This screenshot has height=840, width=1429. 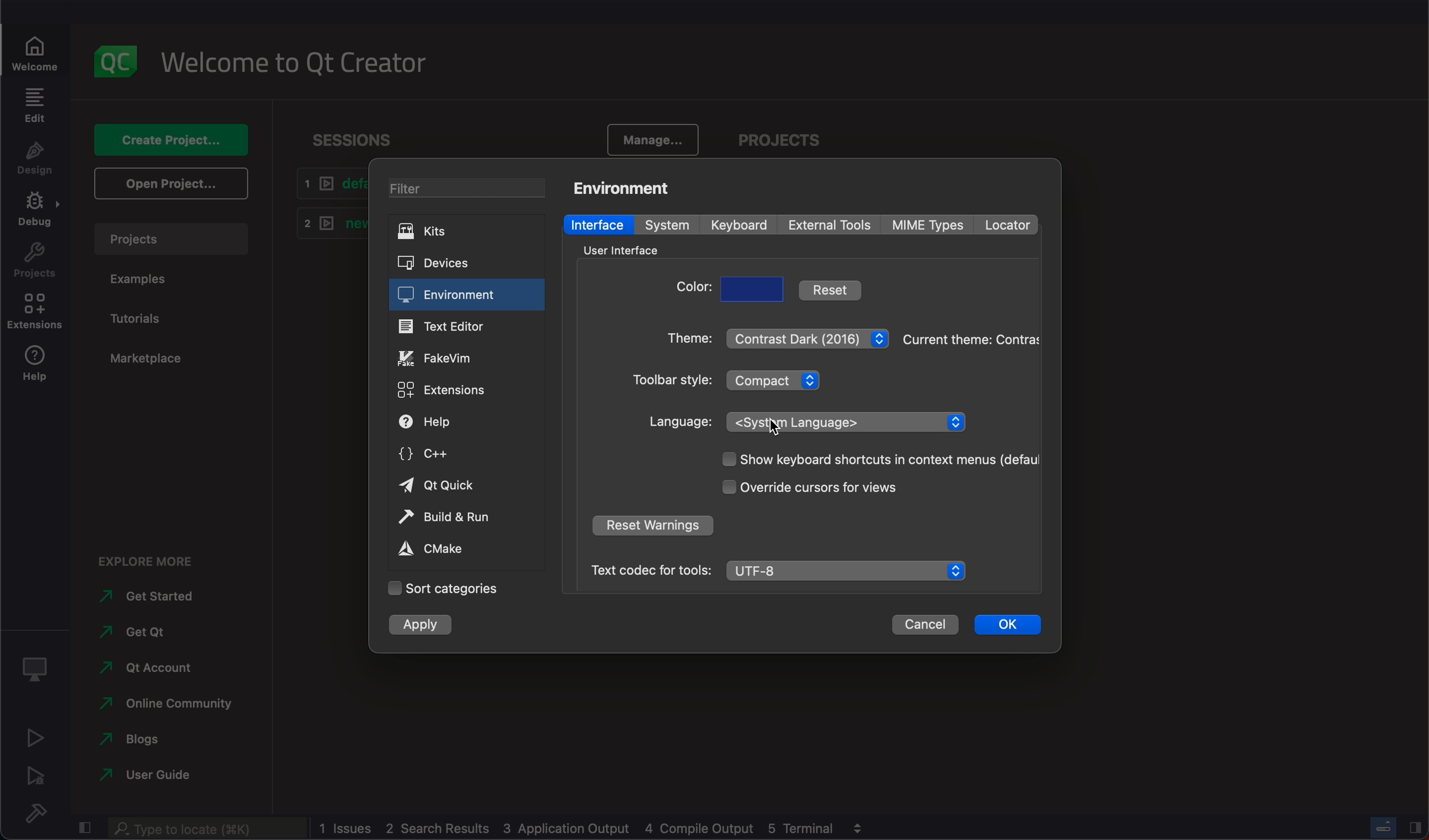 What do you see at coordinates (154, 559) in the screenshot?
I see `explore more ` at bounding box center [154, 559].